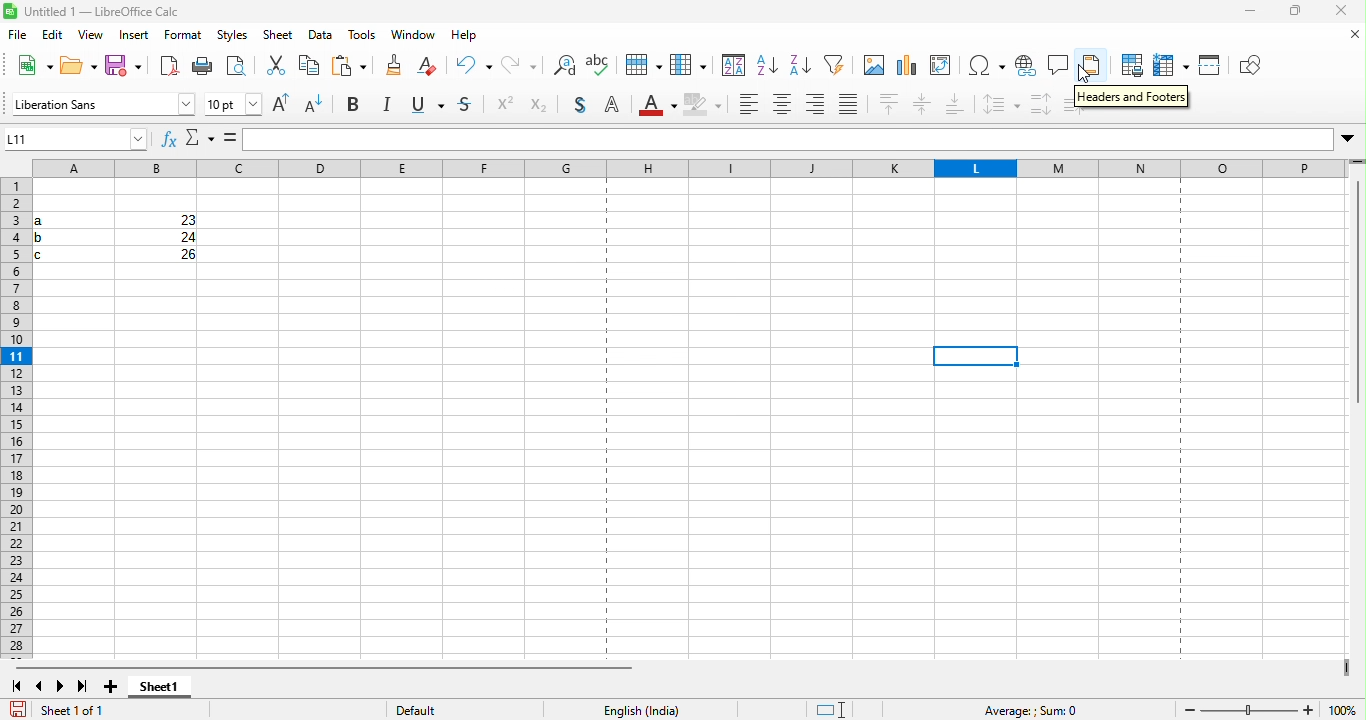 The width and height of the screenshot is (1366, 720). Describe the element at coordinates (119, 67) in the screenshot. I see `save` at that location.